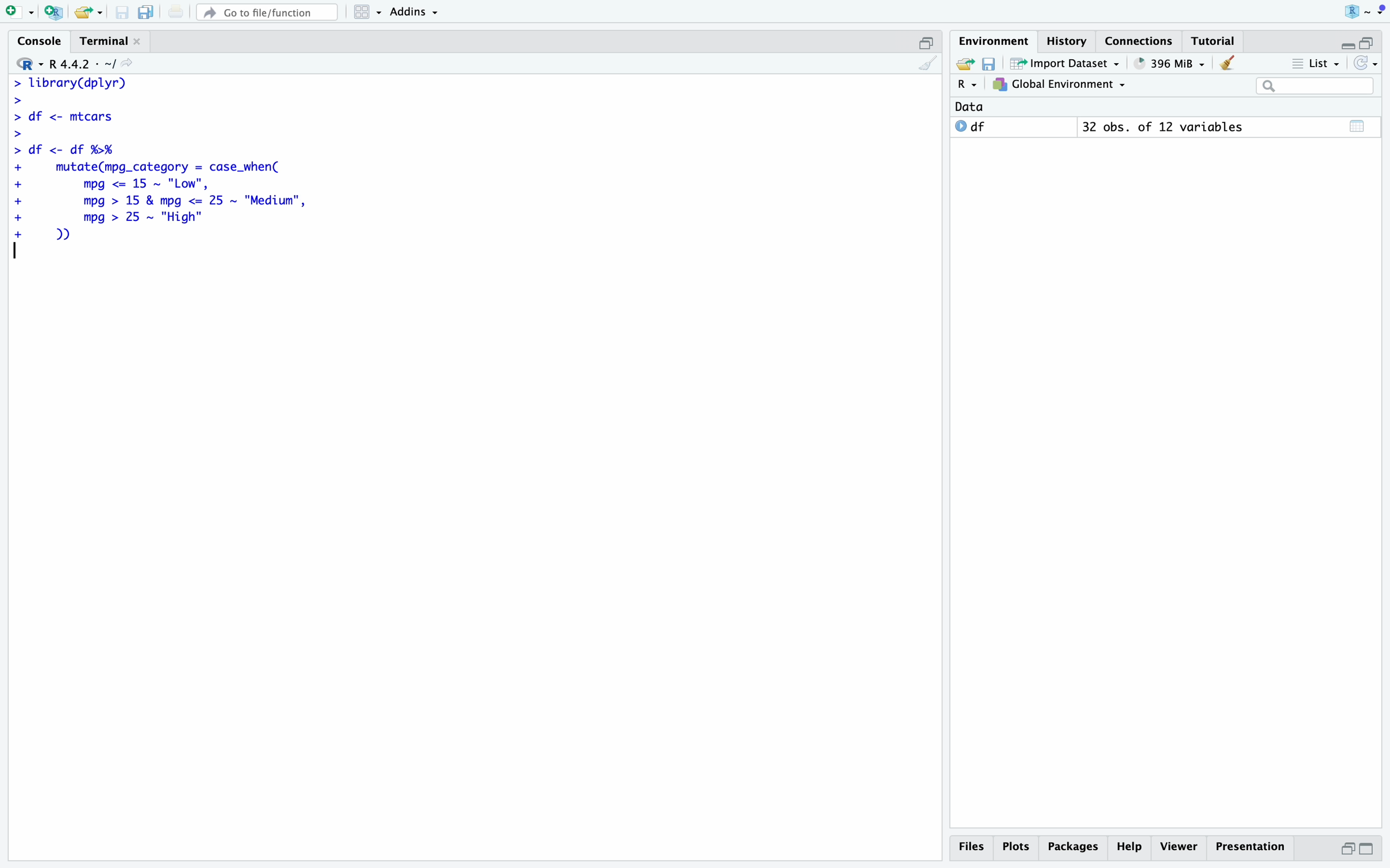  Describe the element at coordinates (269, 13) in the screenshot. I see `go to file/function` at that location.